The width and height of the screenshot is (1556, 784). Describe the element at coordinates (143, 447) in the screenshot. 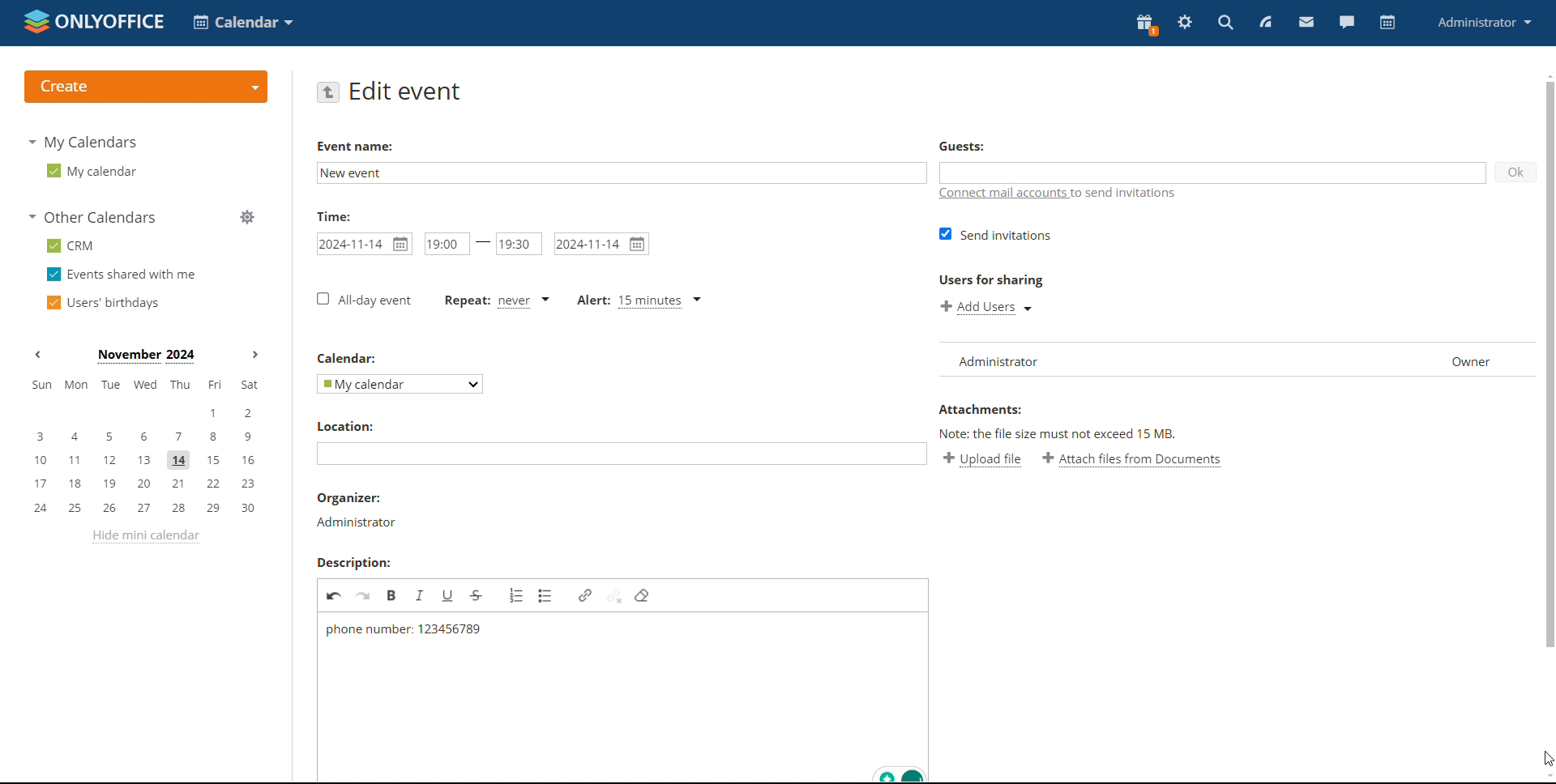

I see `mini calendar` at that location.